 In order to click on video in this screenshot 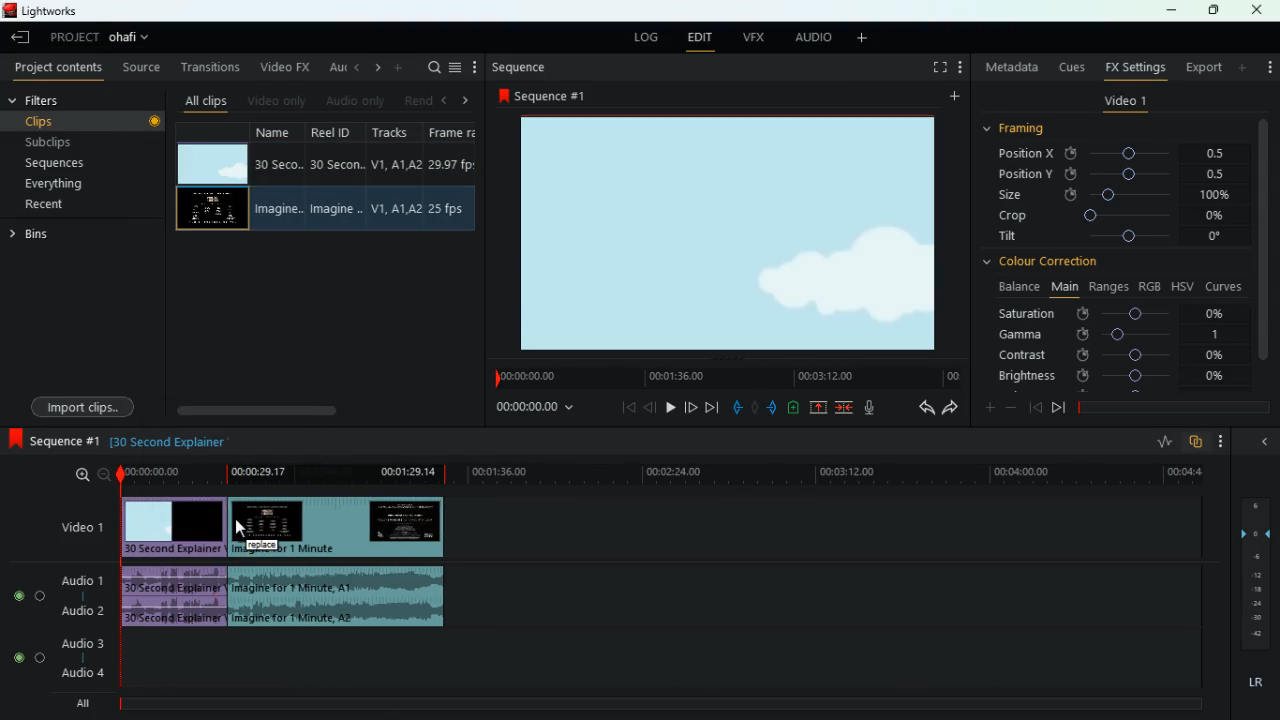, I will do `click(340, 527)`.